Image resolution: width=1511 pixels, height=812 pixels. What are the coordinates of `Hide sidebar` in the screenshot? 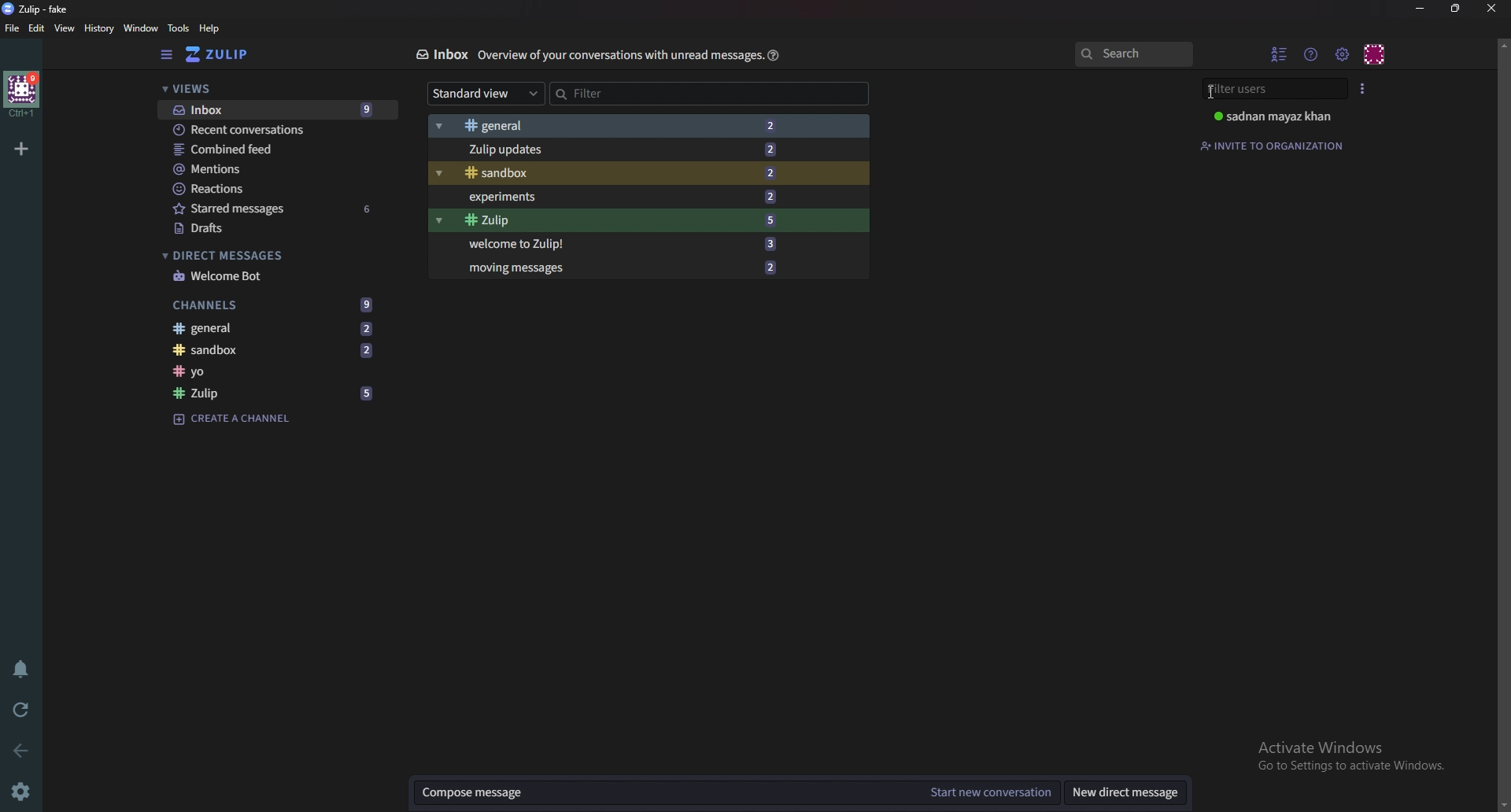 It's located at (164, 56).